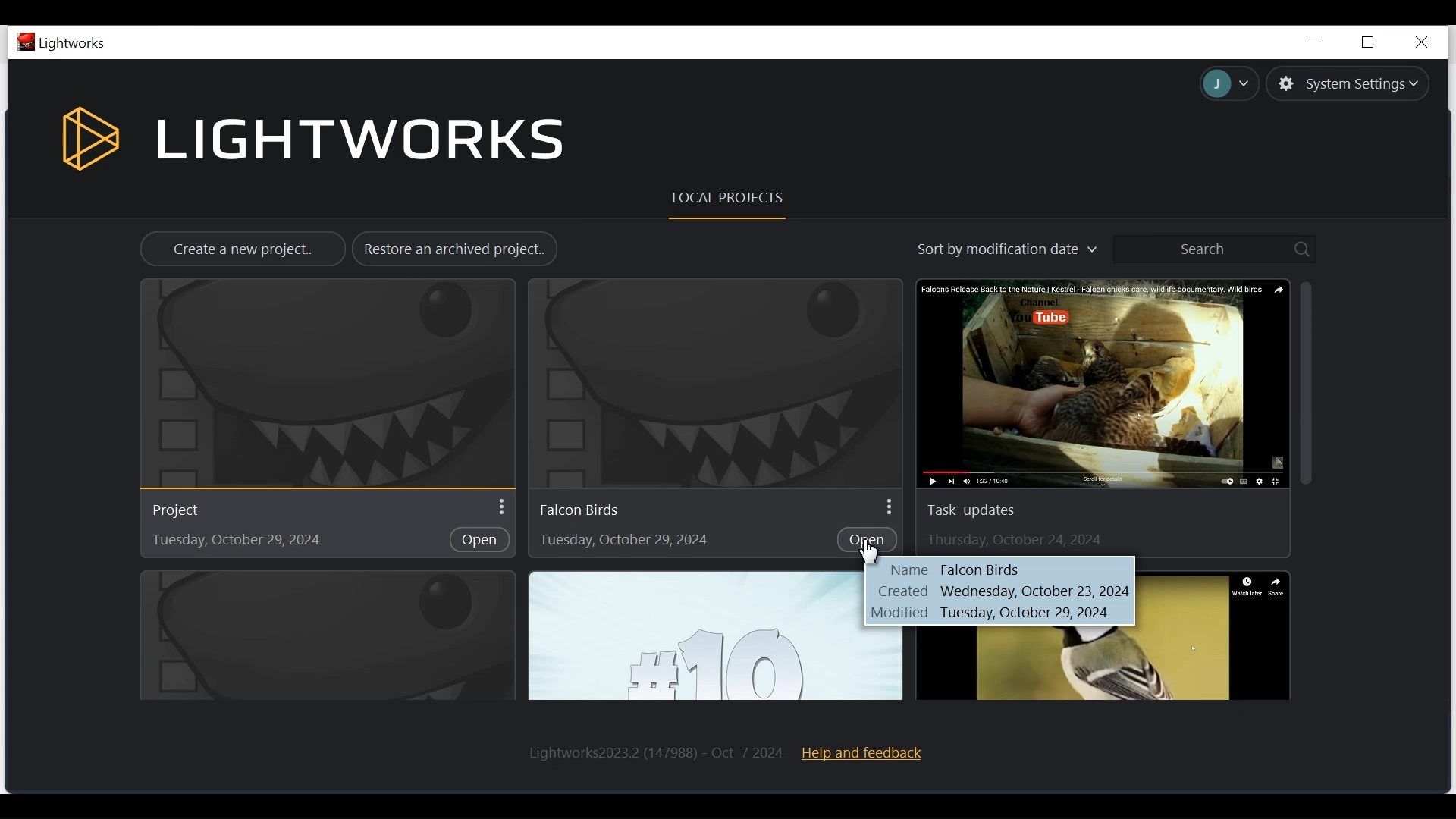  What do you see at coordinates (1367, 42) in the screenshot?
I see `Restore` at bounding box center [1367, 42].